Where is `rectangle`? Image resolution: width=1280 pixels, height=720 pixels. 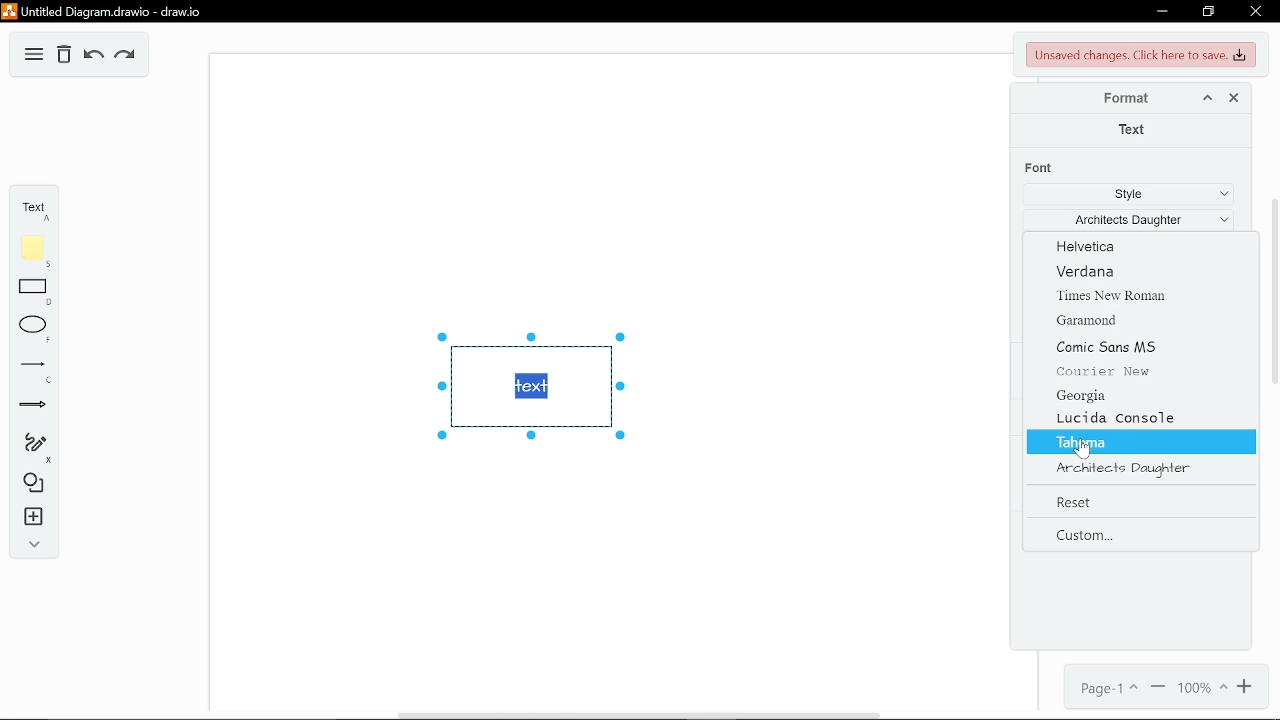 rectangle is located at coordinates (28, 292).